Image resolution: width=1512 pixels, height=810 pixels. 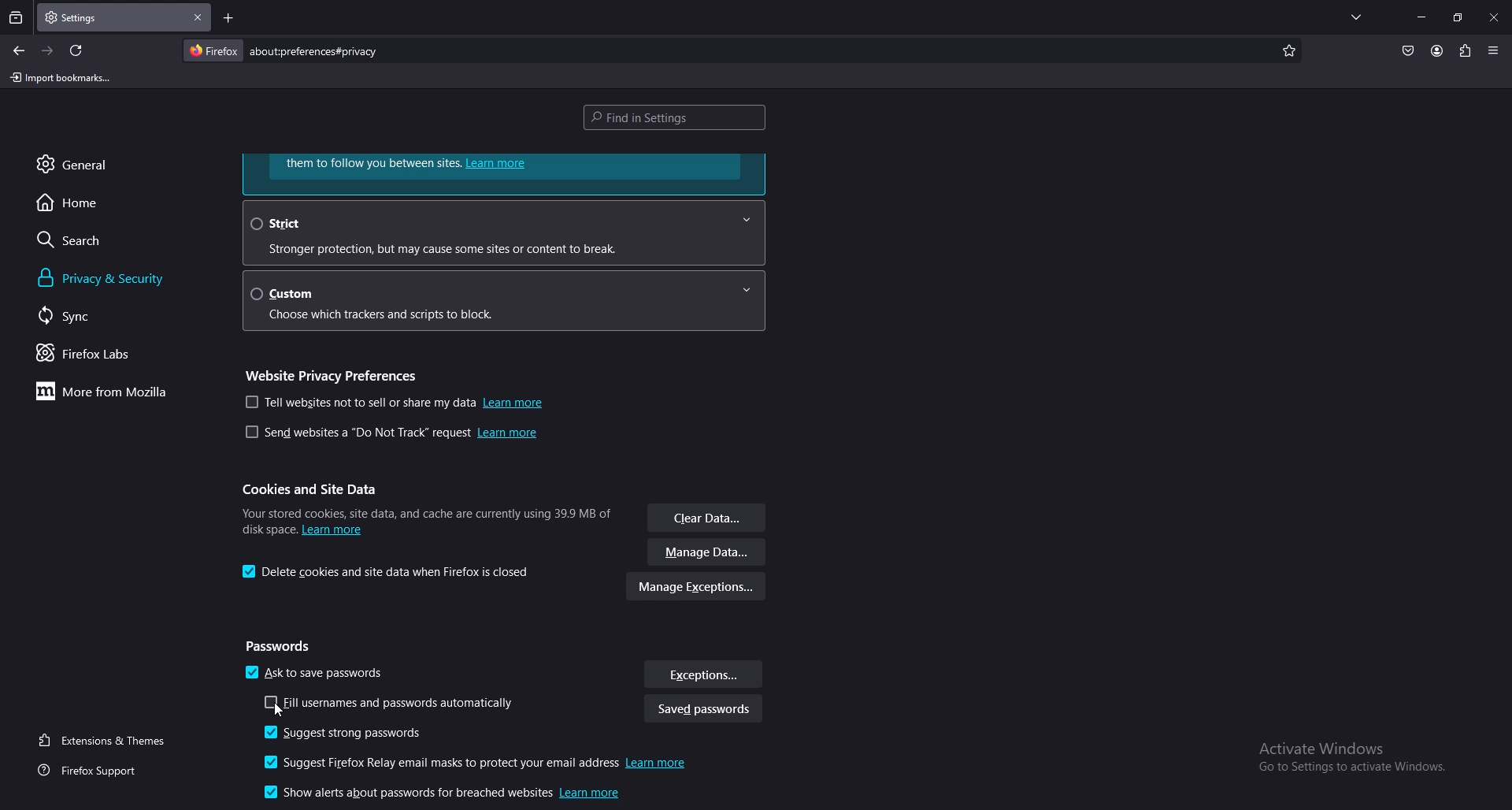 What do you see at coordinates (77, 50) in the screenshot?
I see `refresh` at bounding box center [77, 50].